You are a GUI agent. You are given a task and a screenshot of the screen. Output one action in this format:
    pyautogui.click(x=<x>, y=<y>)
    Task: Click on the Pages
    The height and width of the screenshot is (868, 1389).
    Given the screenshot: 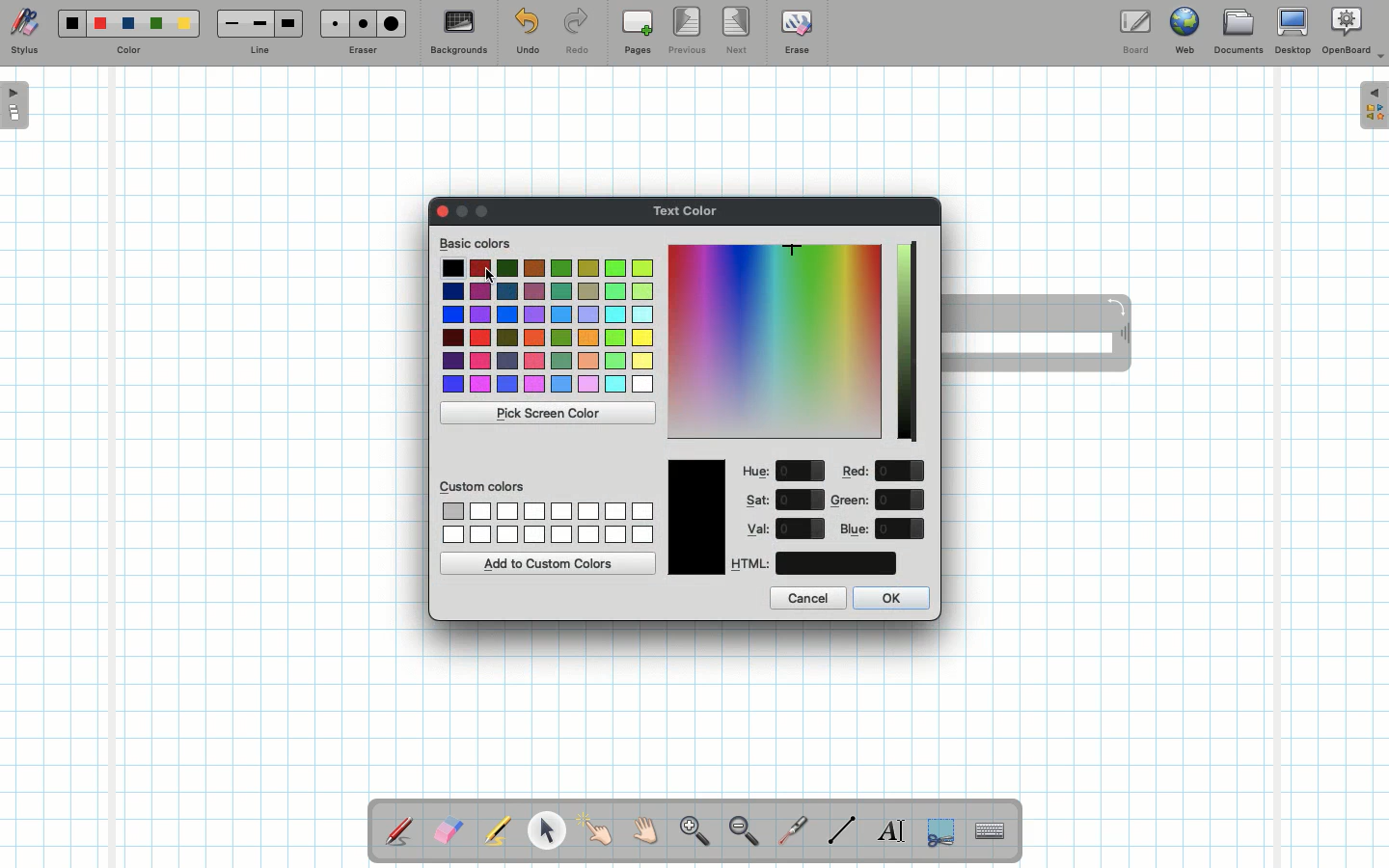 What is the action you would take?
    pyautogui.click(x=638, y=34)
    